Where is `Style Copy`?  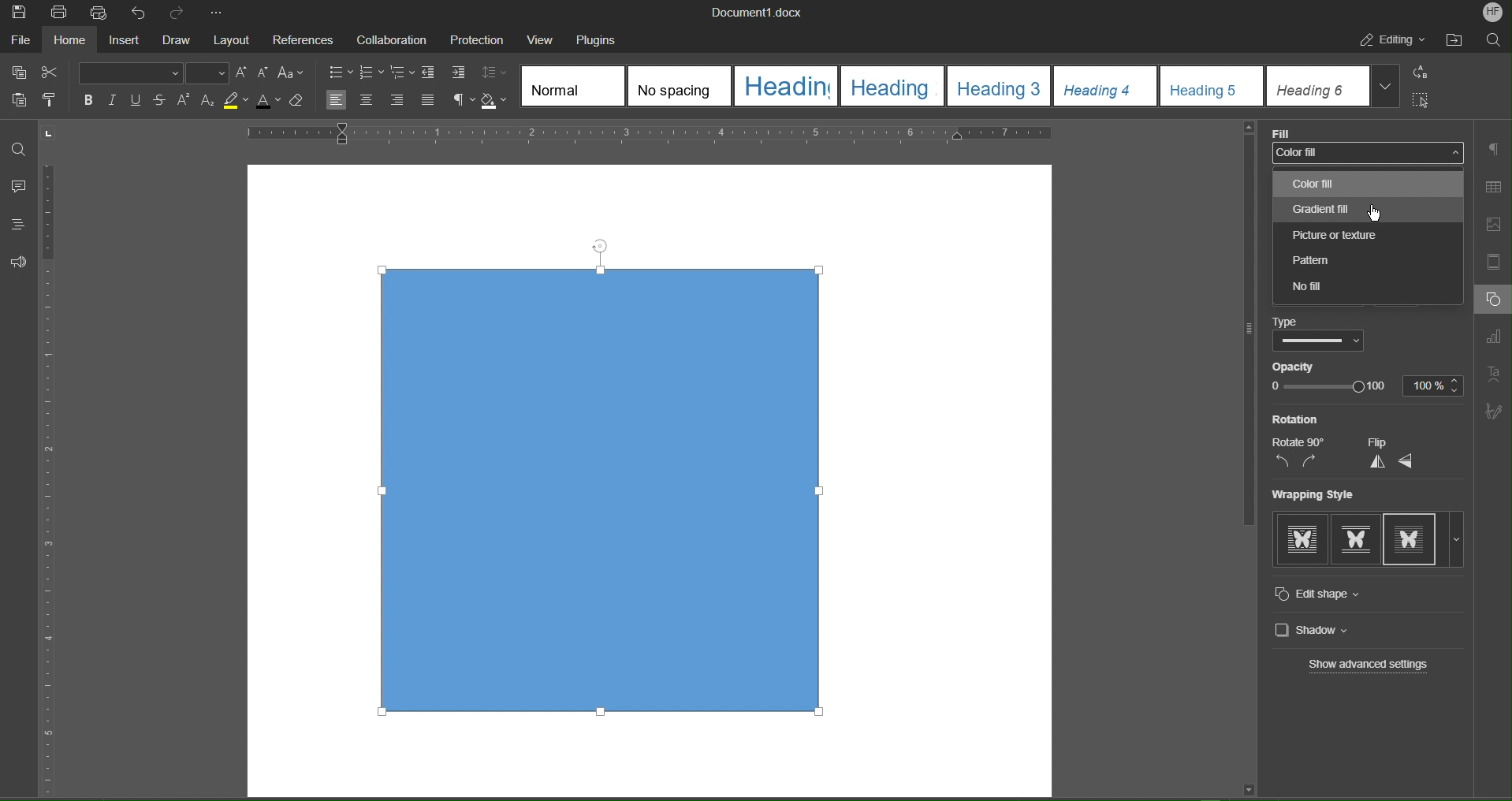
Style Copy is located at coordinates (52, 102).